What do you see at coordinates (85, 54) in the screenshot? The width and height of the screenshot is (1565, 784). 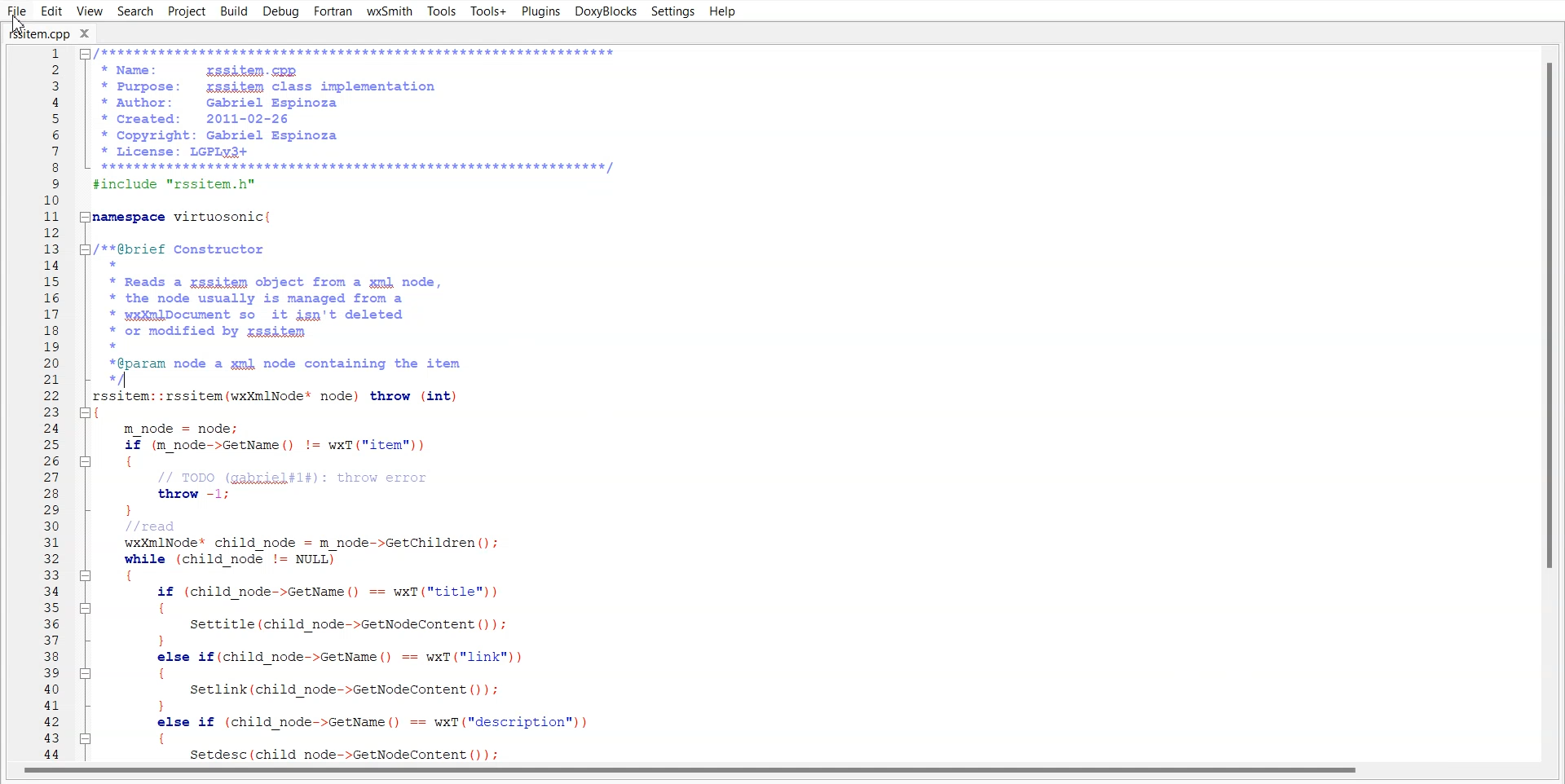 I see `Collapse` at bounding box center [85, 54].